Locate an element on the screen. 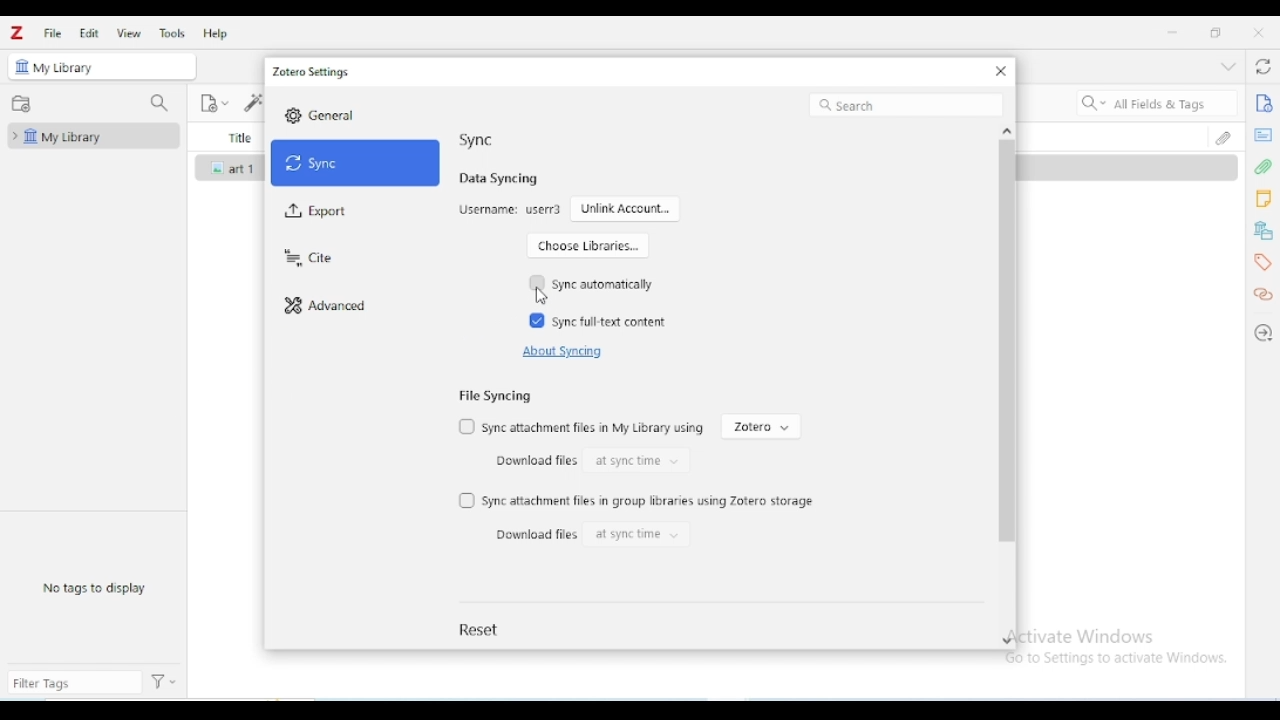  Go to Settings to activate Windows. is located at coordinates (1120, 658).